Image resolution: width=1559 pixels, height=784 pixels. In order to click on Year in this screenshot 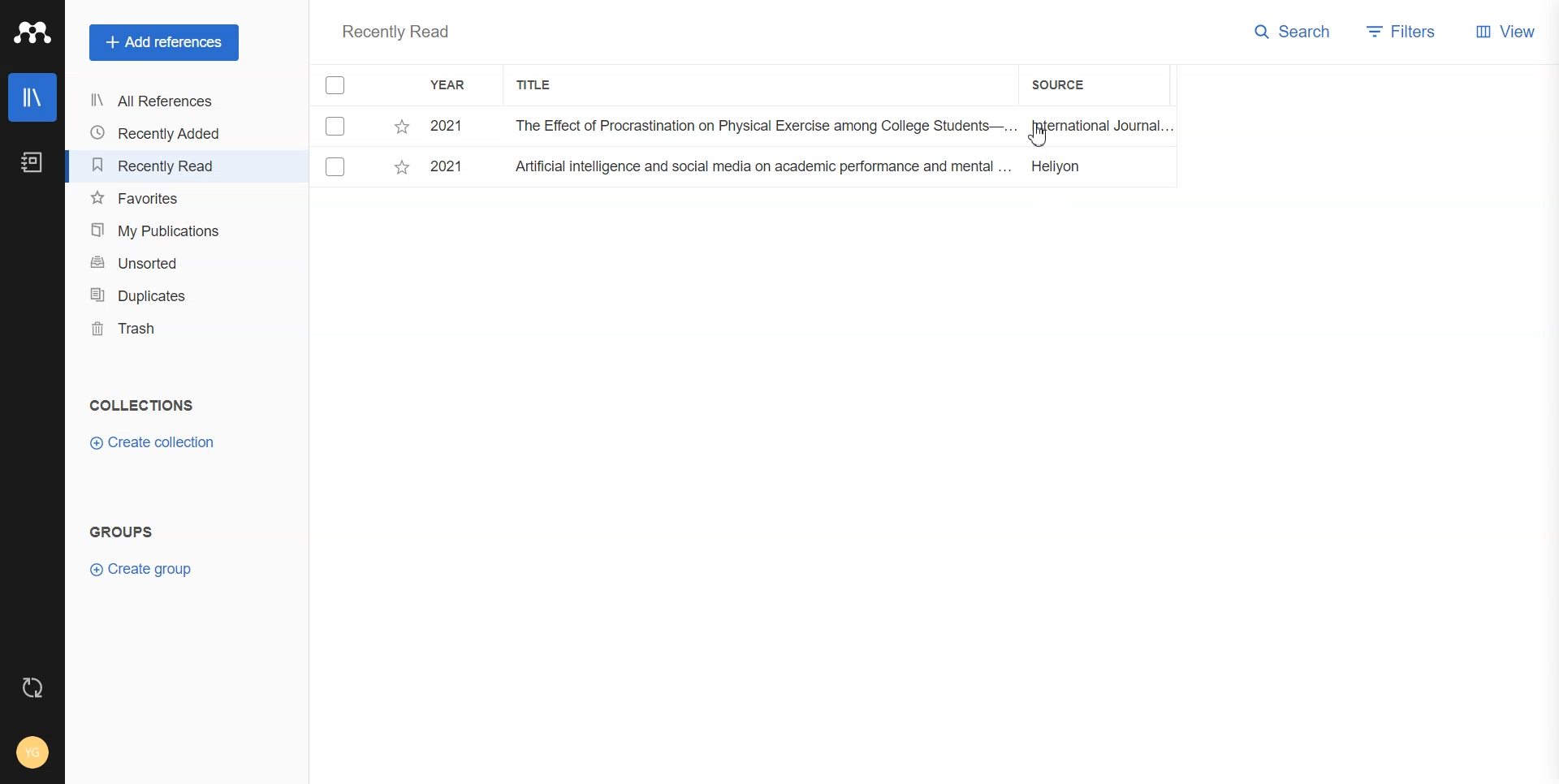, I will do `click(451, 85)`.